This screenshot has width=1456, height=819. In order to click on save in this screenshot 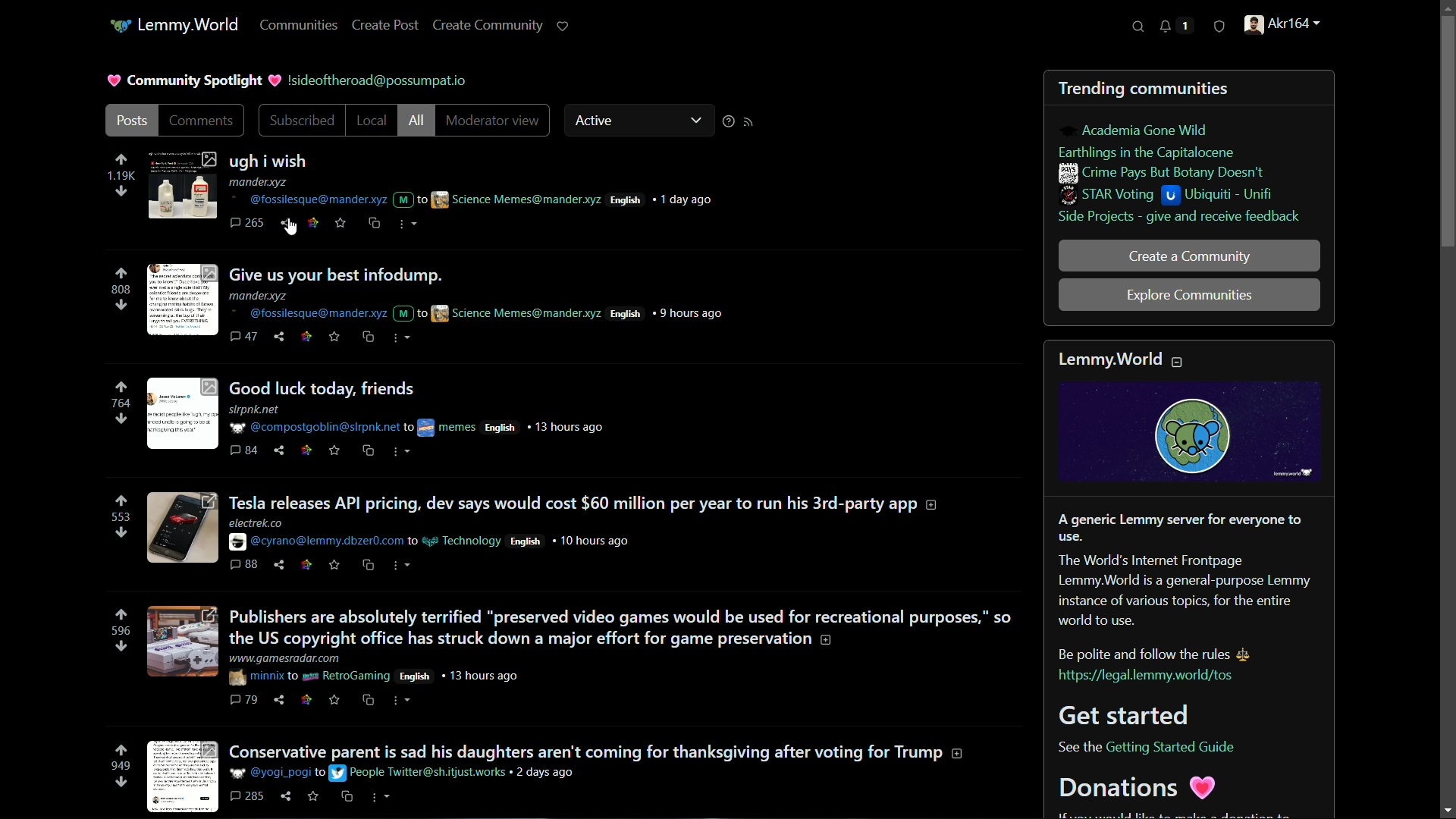, I will do `click(335, 700)`.